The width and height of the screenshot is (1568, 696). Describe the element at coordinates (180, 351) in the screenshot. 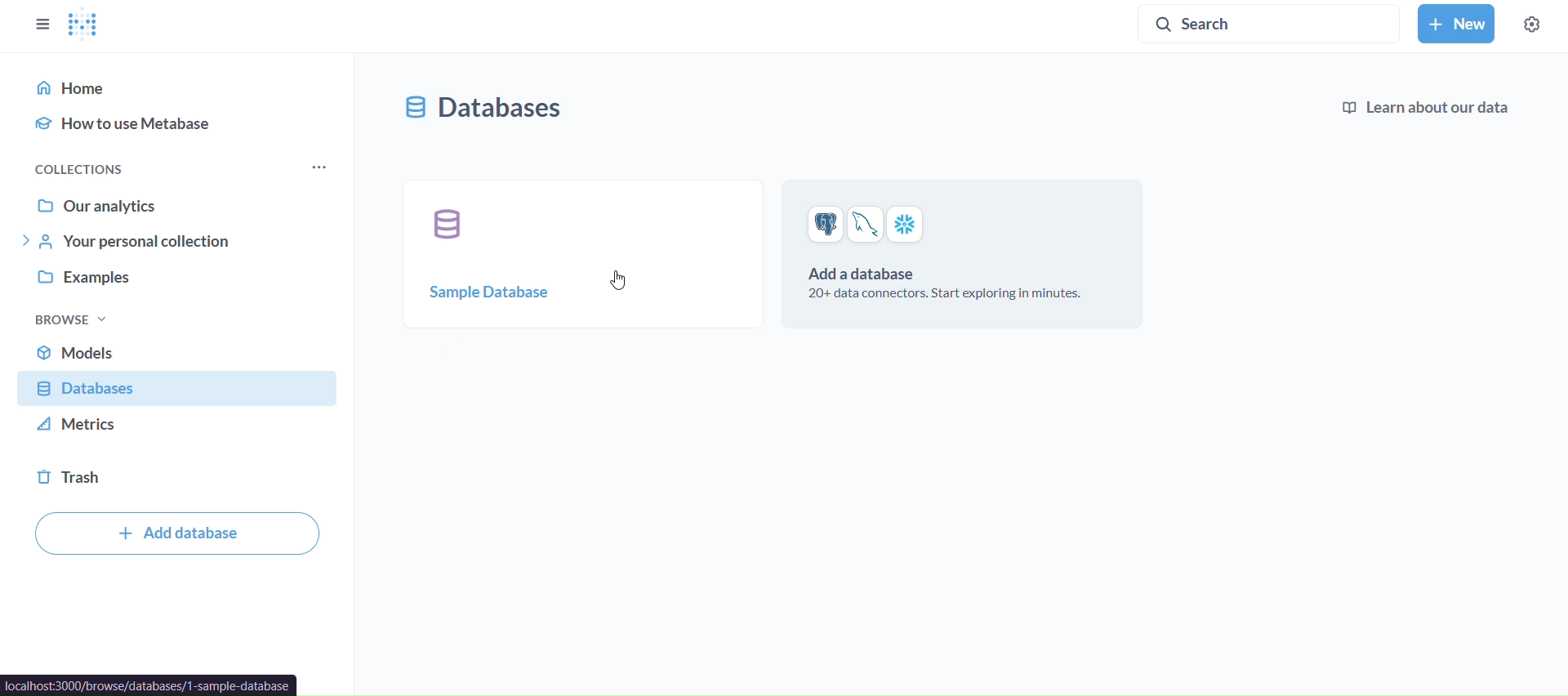

I see `models` at that location.